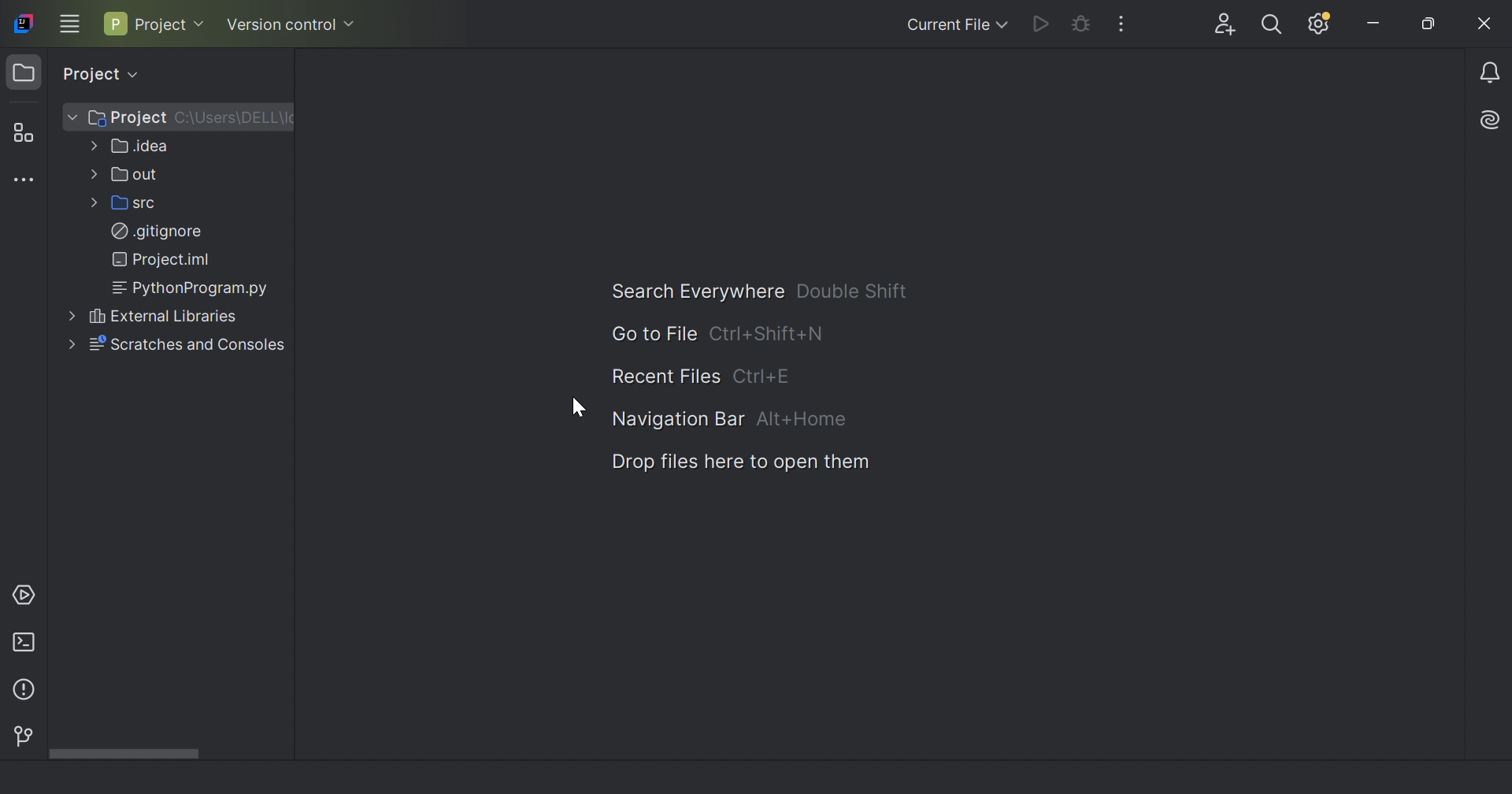  Describe the element at coordinates (117, 118) in the screenshot. I see `Project` at that location.